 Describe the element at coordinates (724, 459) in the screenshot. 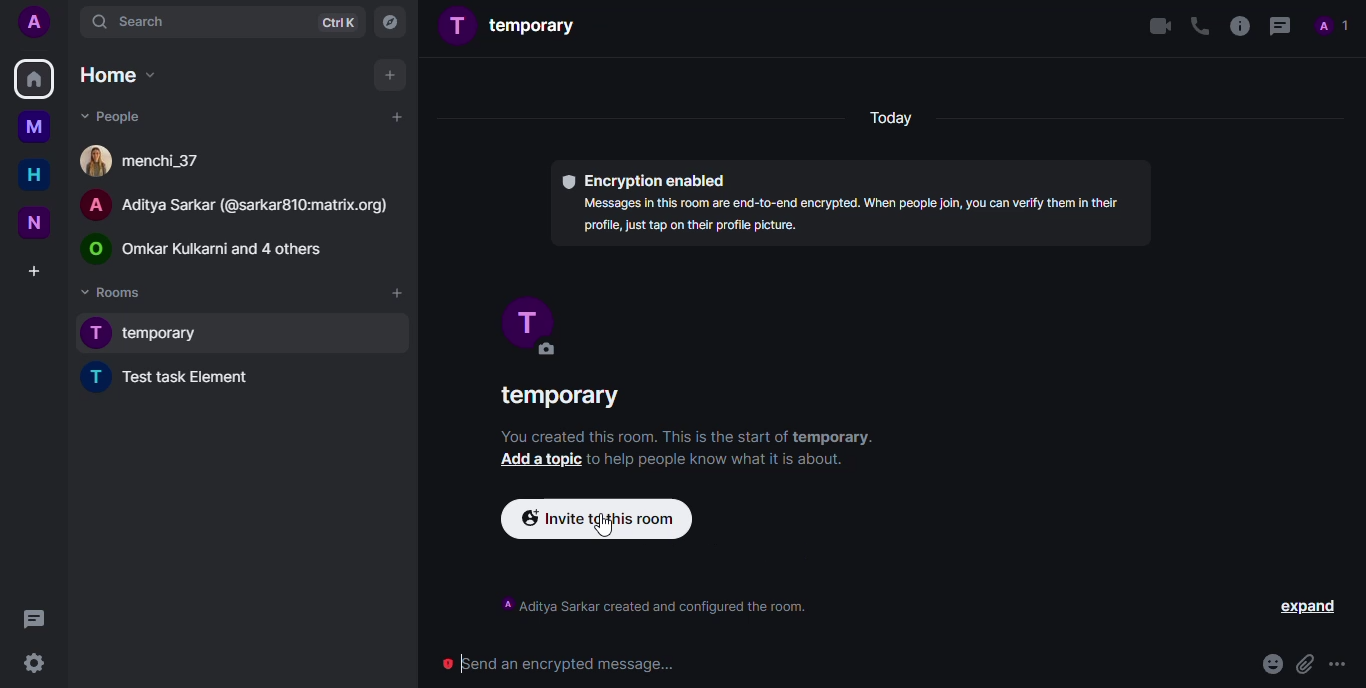

I see `to help people know what it is about.` at that location.